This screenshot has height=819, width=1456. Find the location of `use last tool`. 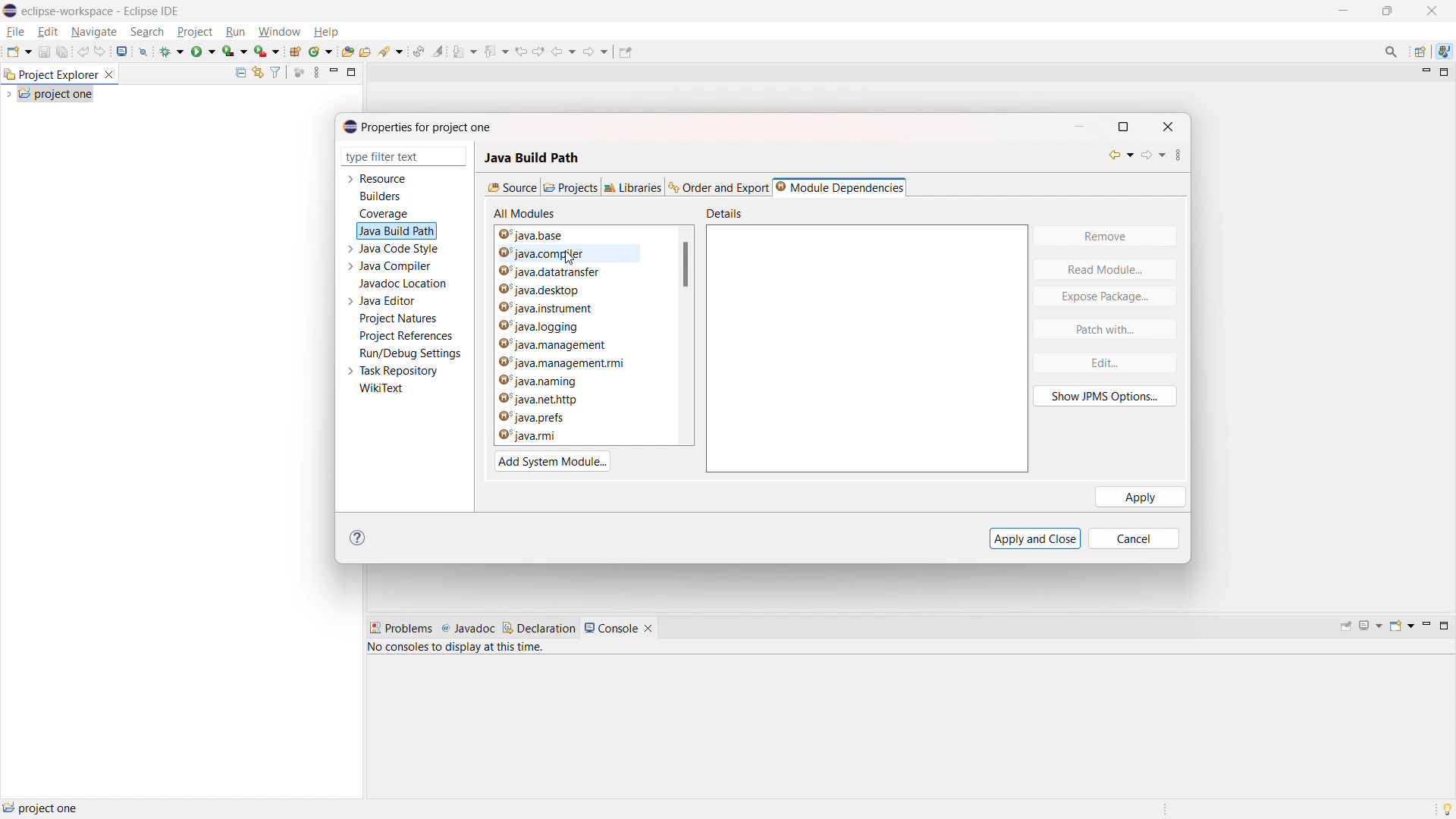

use last tool is located at coordinates (266, 52).